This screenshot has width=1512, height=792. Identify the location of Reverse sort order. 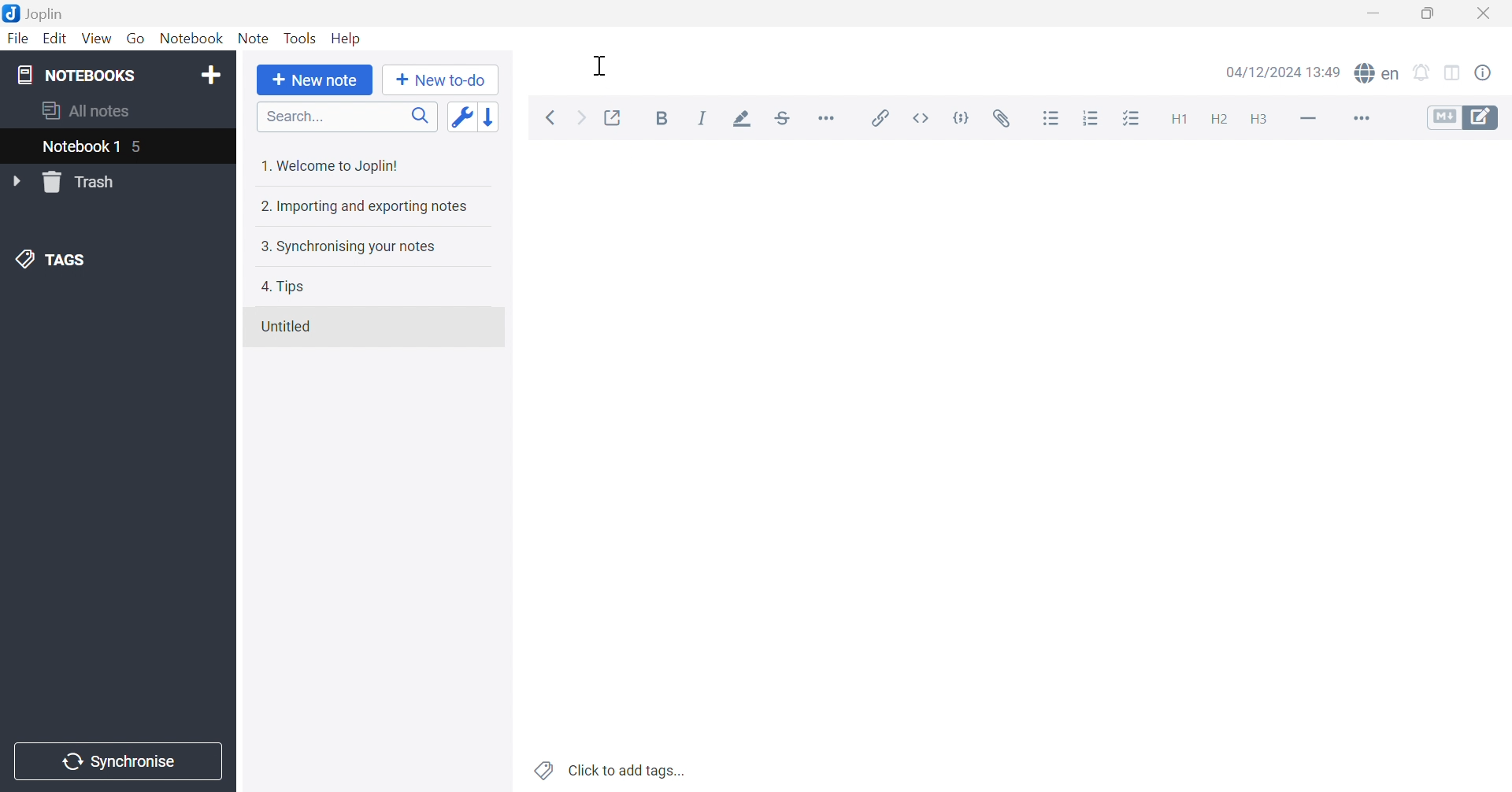
(491, 117).